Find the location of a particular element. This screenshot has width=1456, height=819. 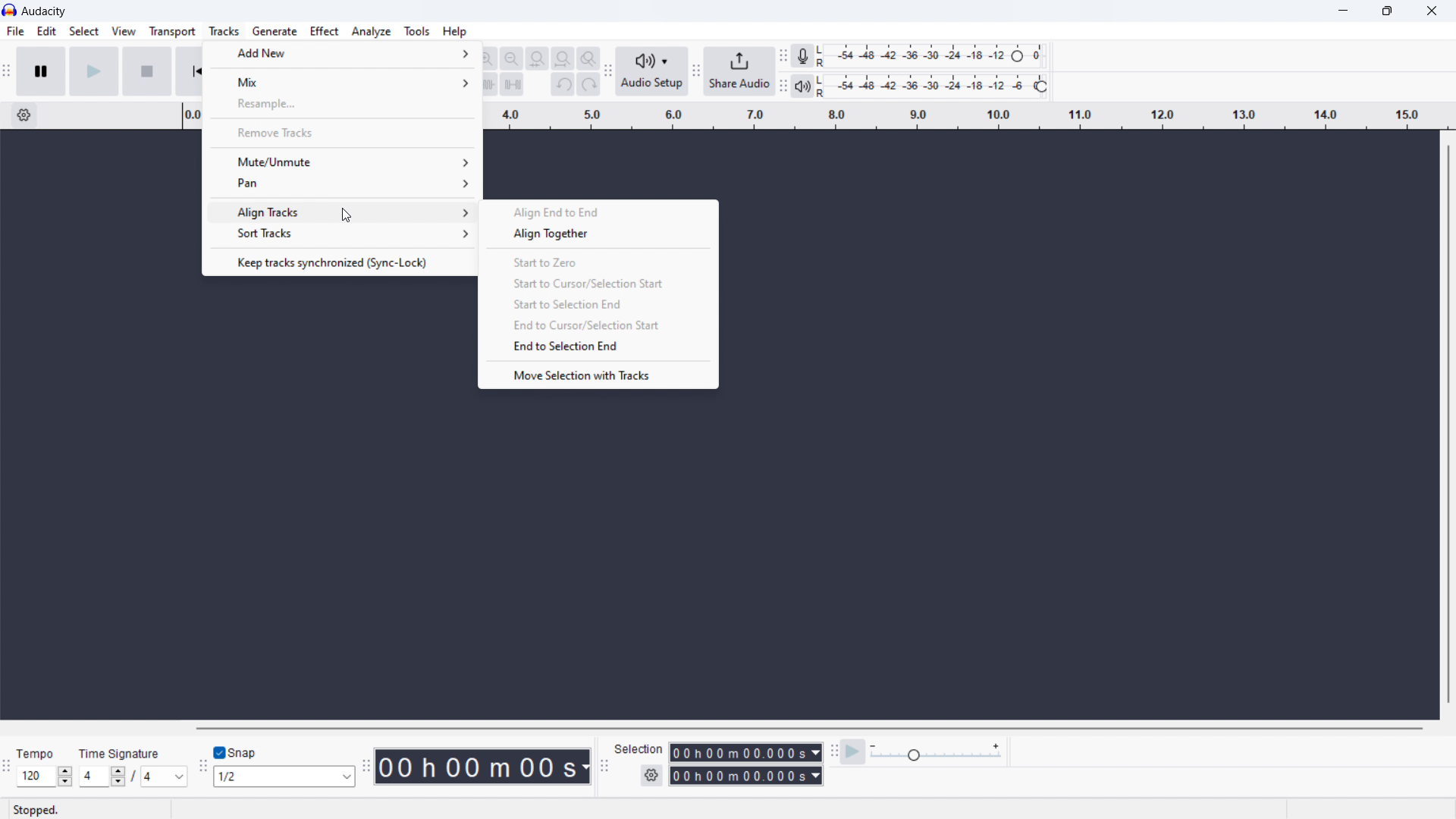

 is located at coordinates (602, 234).